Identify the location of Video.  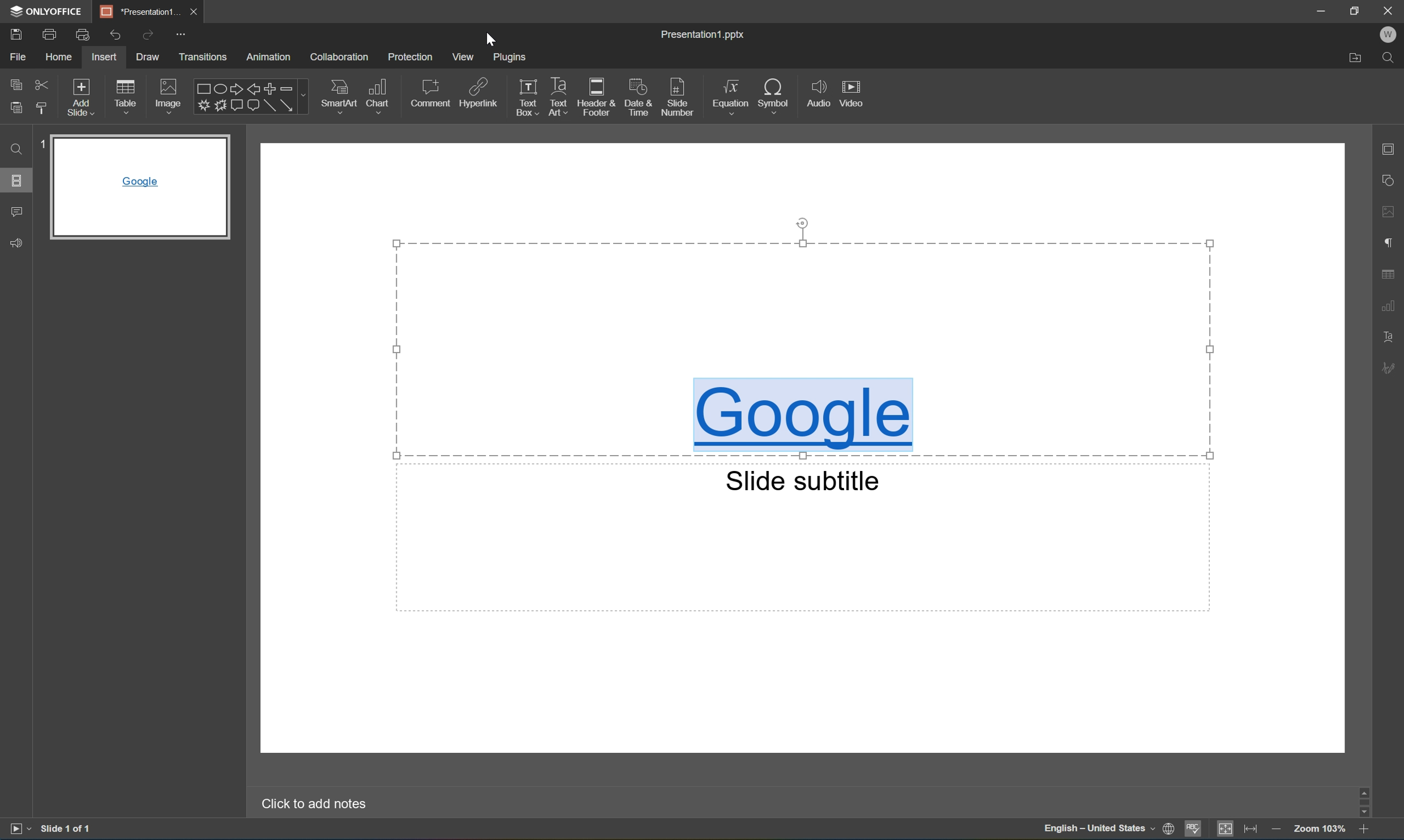
(850, 92).